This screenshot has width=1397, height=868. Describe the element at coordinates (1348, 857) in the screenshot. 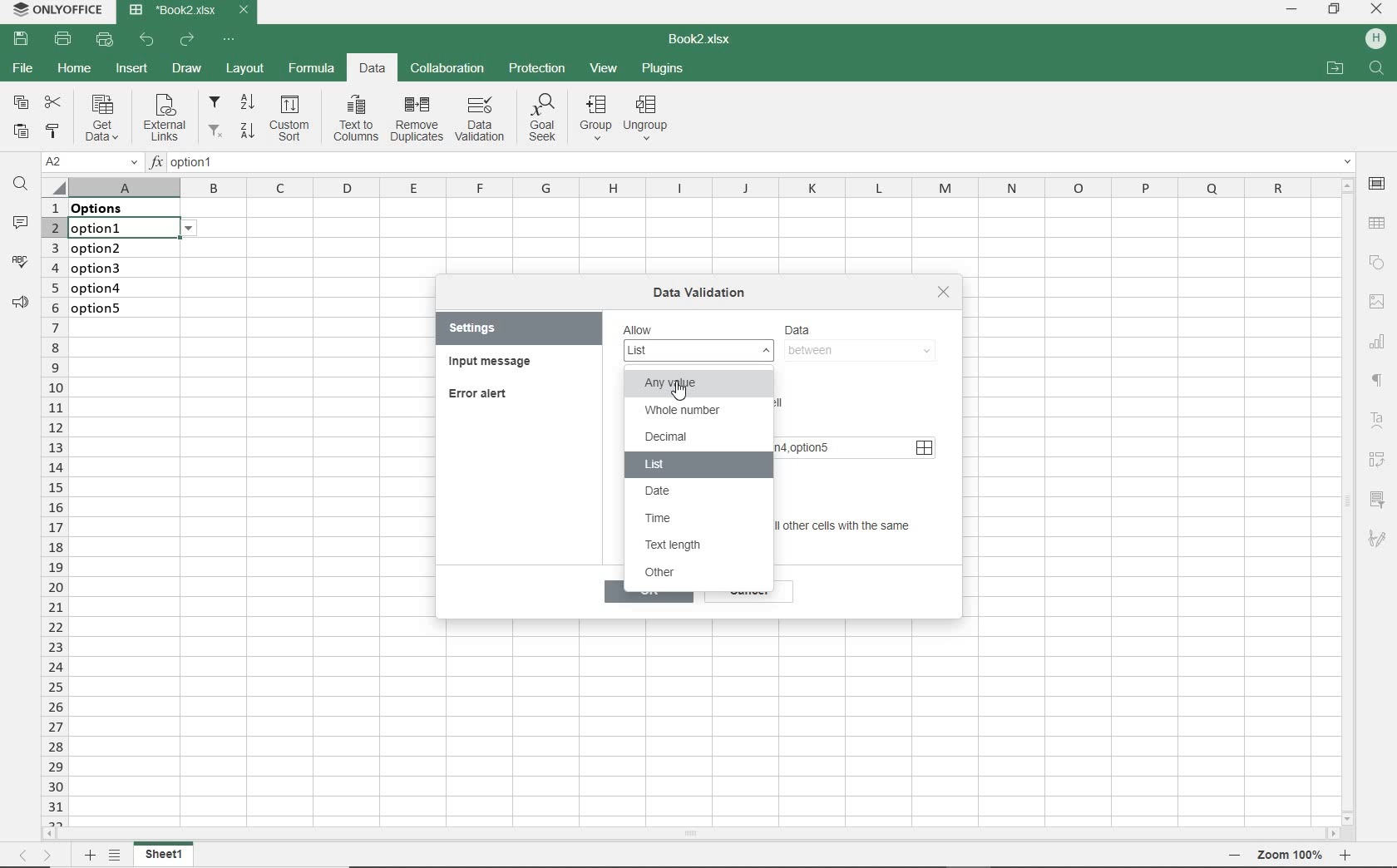

I see `Zoom in` at that location.